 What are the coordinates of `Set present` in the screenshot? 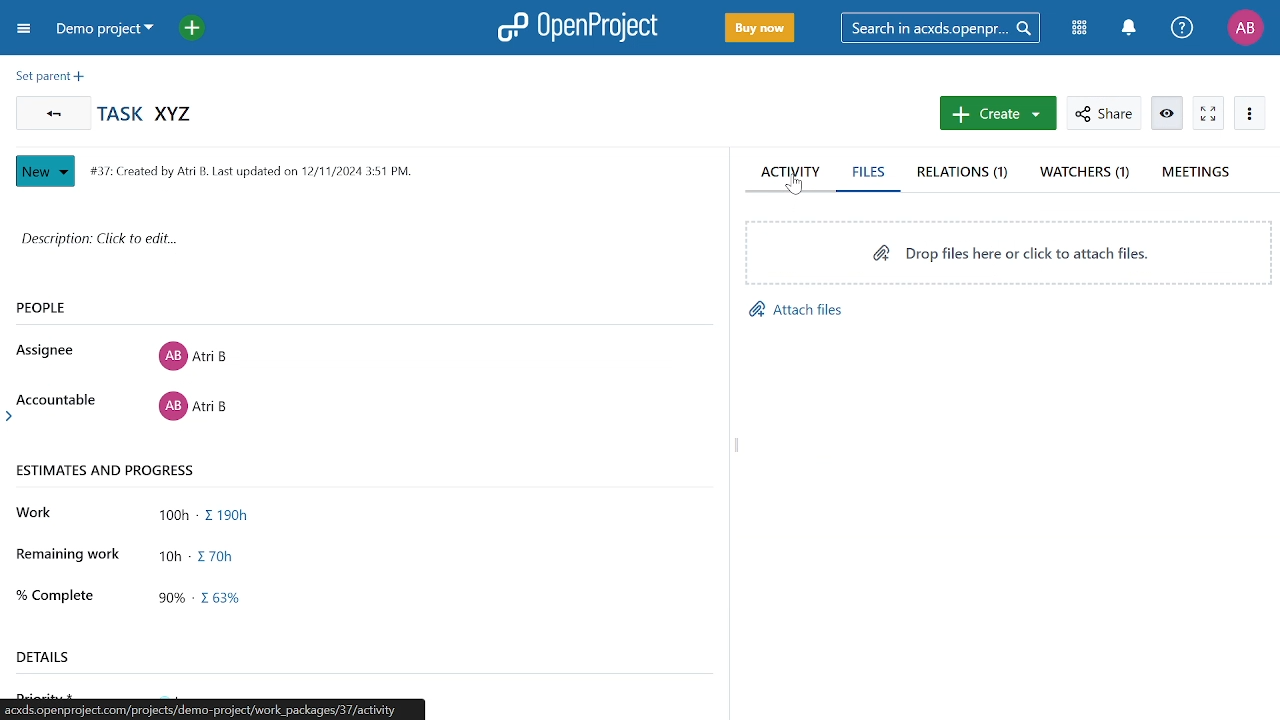 It's located at (54, 77).